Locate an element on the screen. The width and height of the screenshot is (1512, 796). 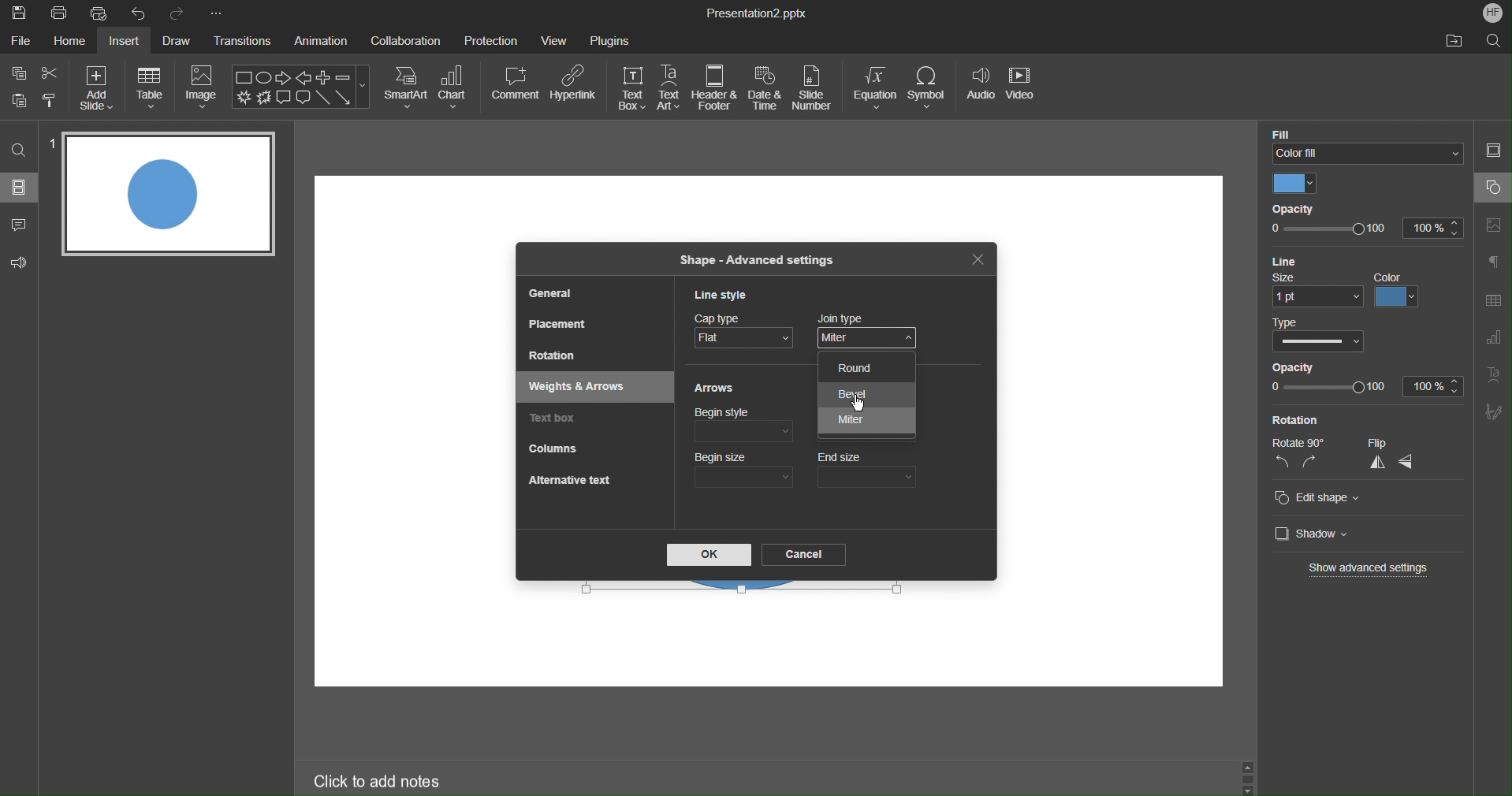
Opacity is located at coordinates (1293, 366).